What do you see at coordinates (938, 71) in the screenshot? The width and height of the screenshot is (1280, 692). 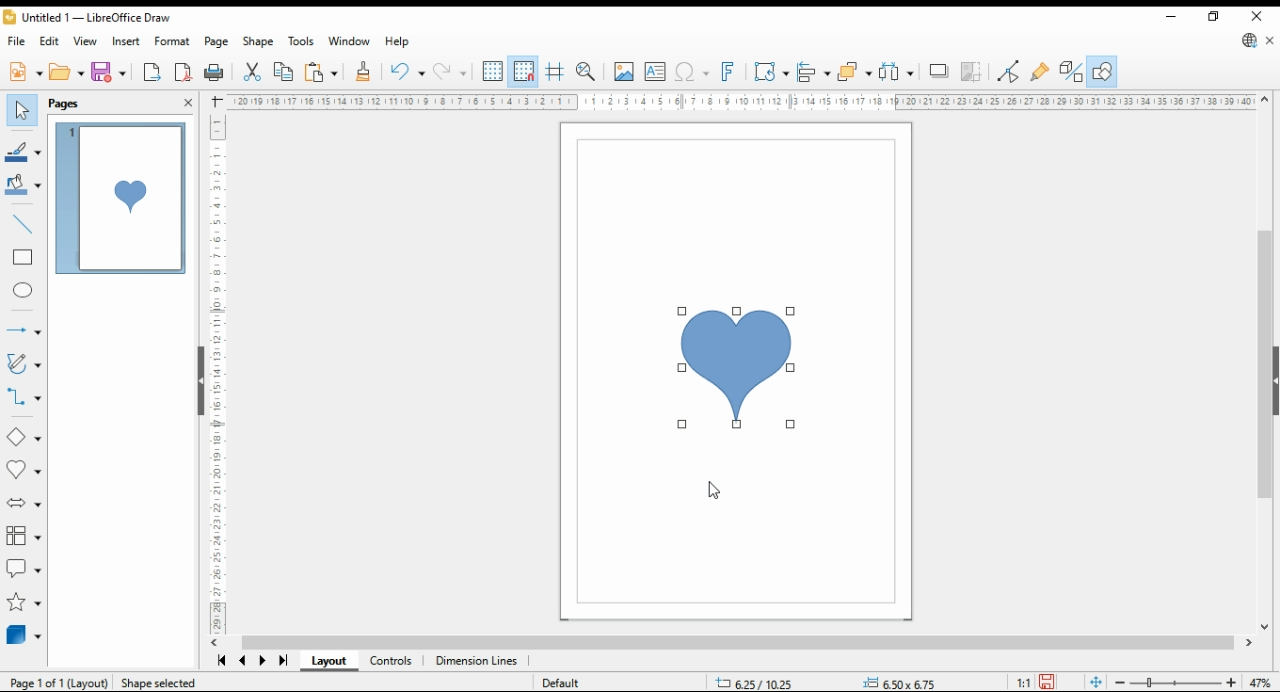 I see `shadow` at bounding box center [938, 71].